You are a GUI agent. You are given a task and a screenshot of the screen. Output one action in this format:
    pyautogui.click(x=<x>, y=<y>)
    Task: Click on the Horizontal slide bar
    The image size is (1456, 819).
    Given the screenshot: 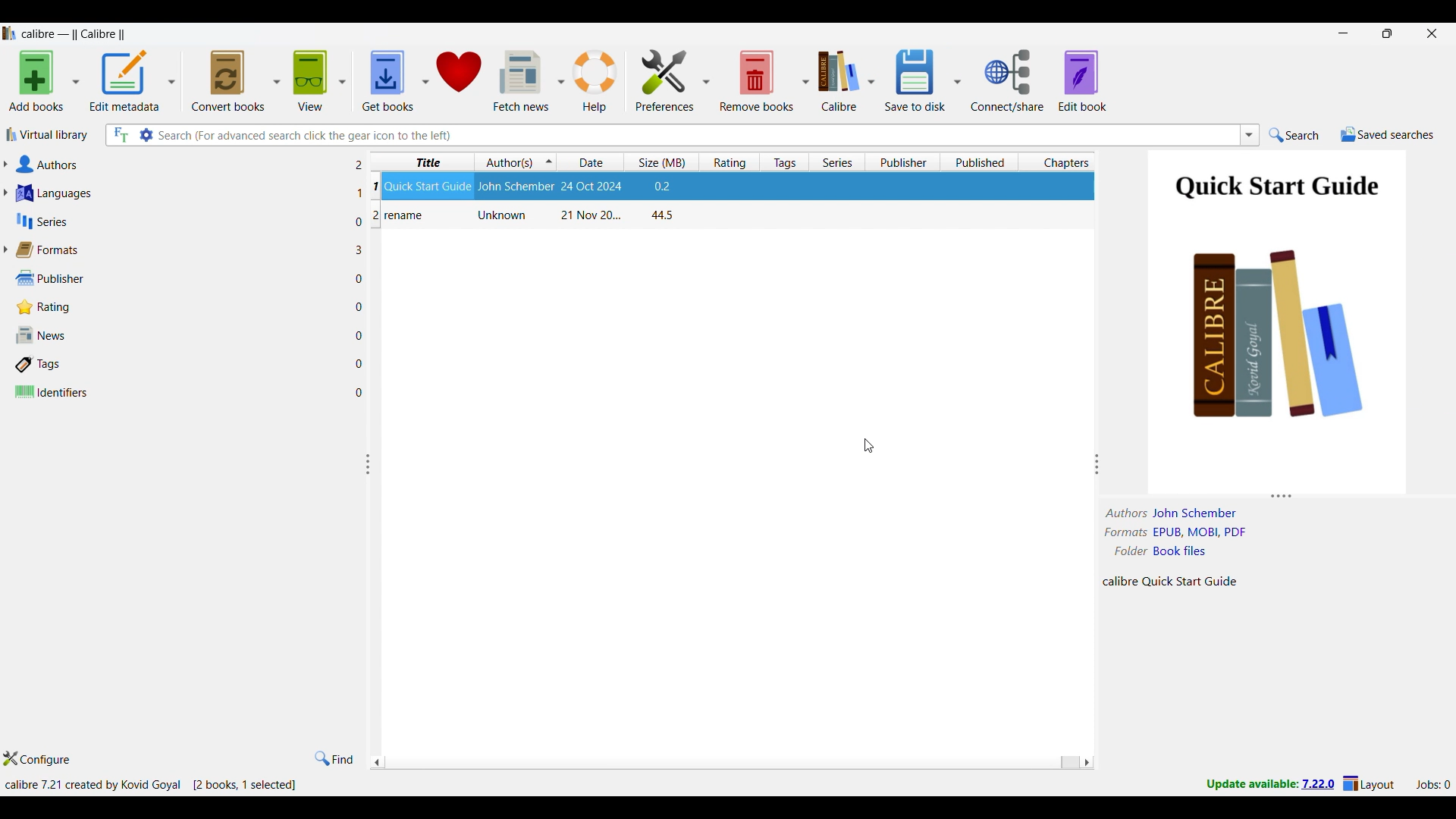 What is the action you would take?
    pyautogui.click(x=733, y=763)
    